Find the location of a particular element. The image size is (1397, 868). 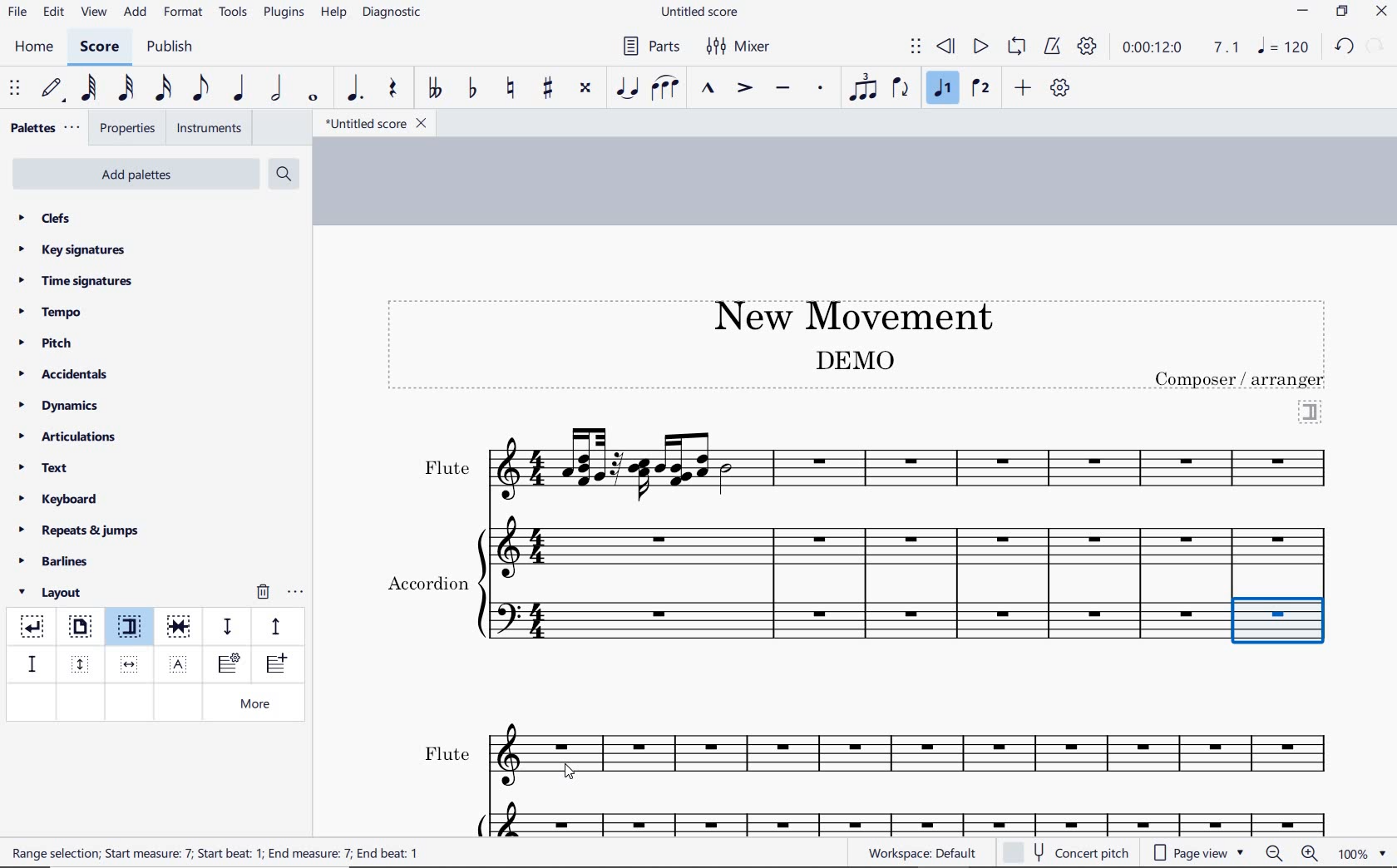

plugins is located at coordinates (284, 13).